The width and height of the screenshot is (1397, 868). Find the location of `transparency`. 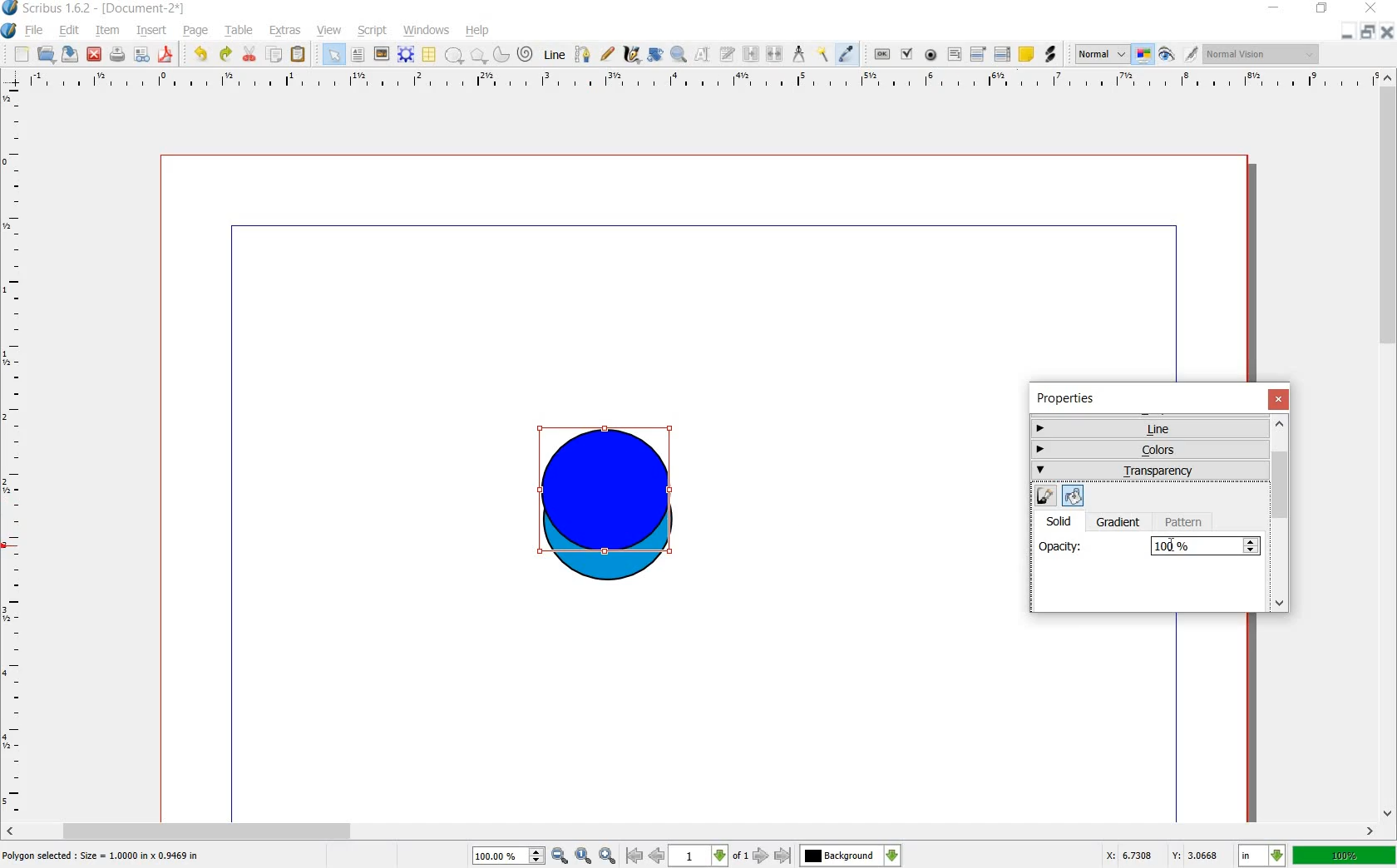

transparency is located at coordinates (1151, 471).